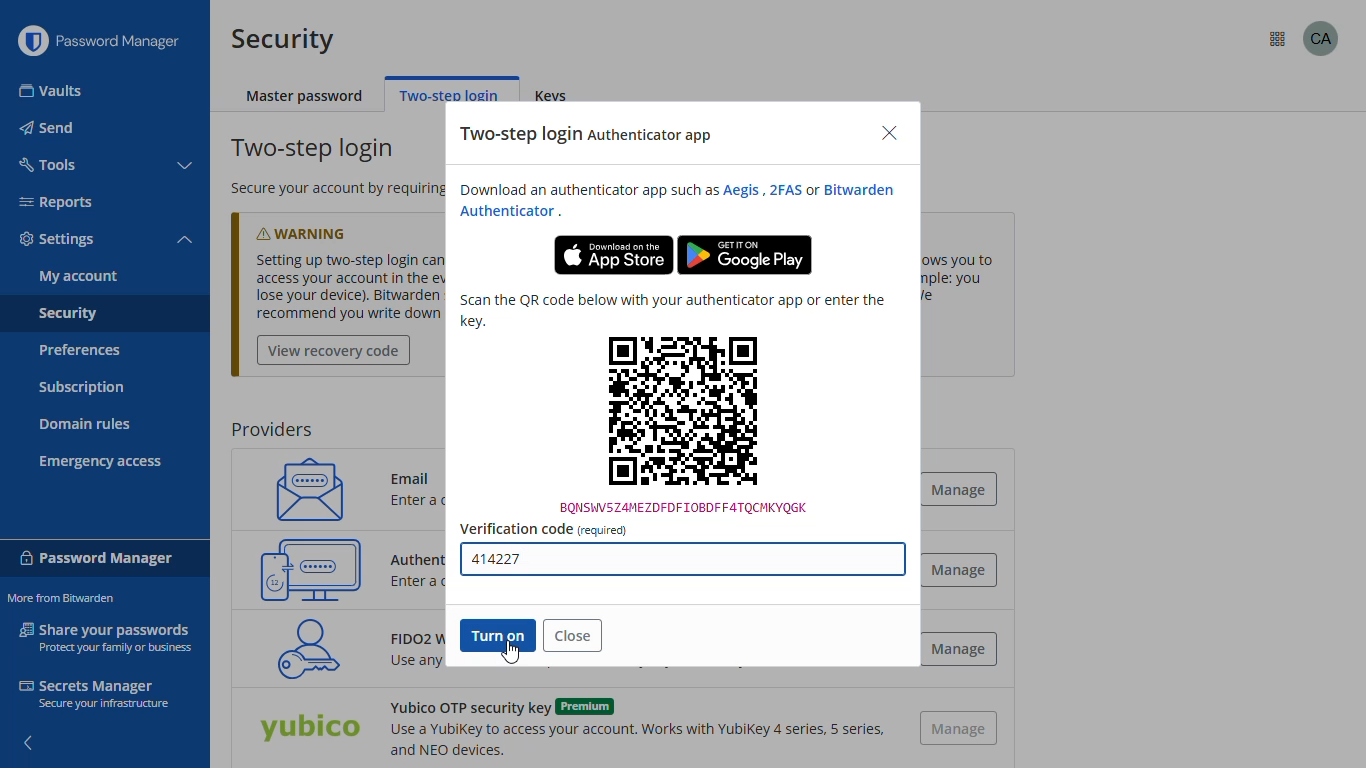 The image size is (1366, 768). What do you see at coordinates (349, 287) in the screenshot?
I see `Setting up two-step login can permanently lock you out of your Bitwarden account. A recovery code allows you to access your account in the event that you can no longer se your normal two-step login provider (example: youlose your device). Bitwarden support will not be able to assist you if you lose access to your account. Werecommend you write down or print the recovery code and keep it in a safe place.` at bounding box center [349, 287].